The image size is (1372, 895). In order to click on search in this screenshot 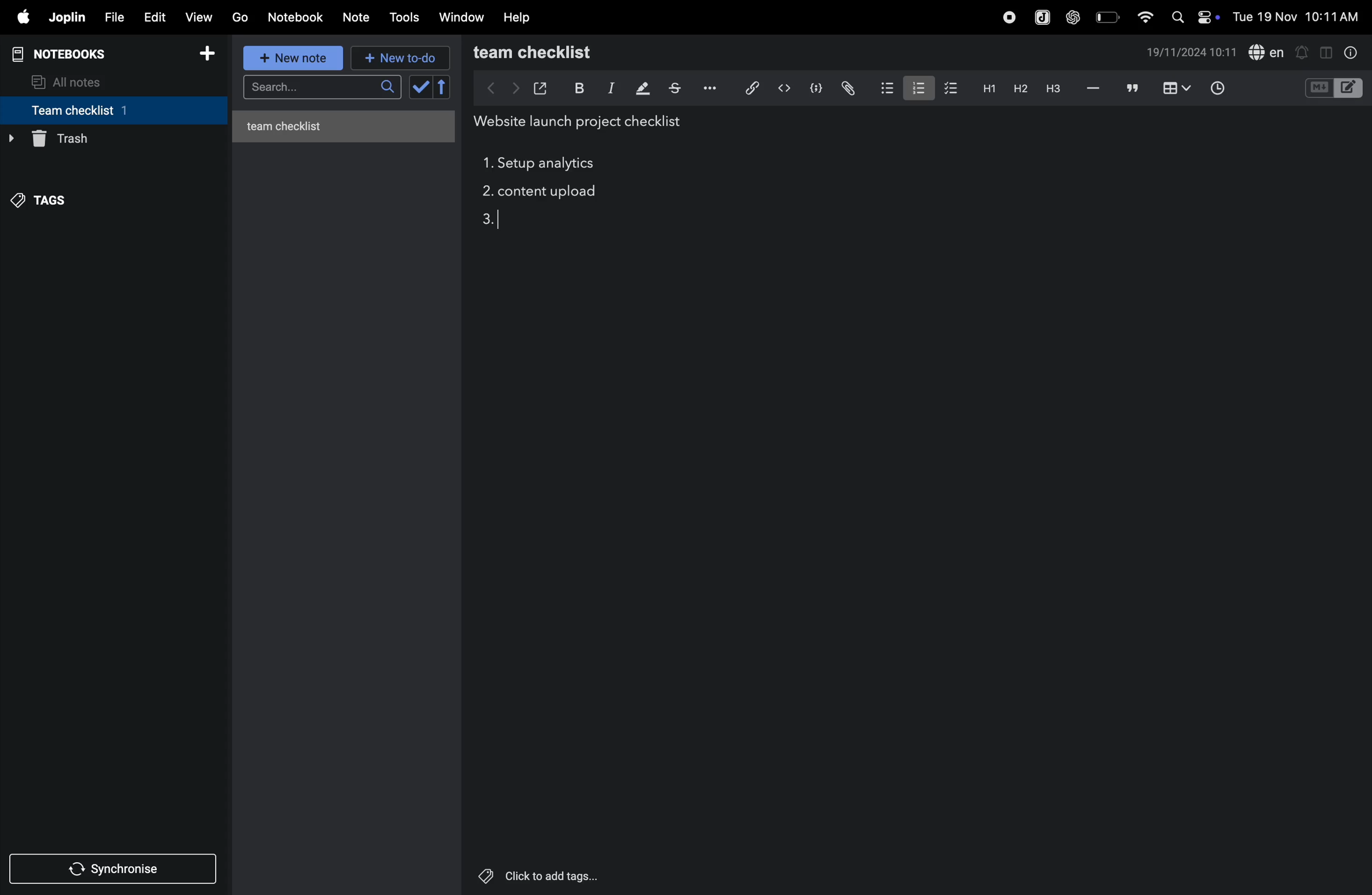, I will do `click(1177, 17)`.